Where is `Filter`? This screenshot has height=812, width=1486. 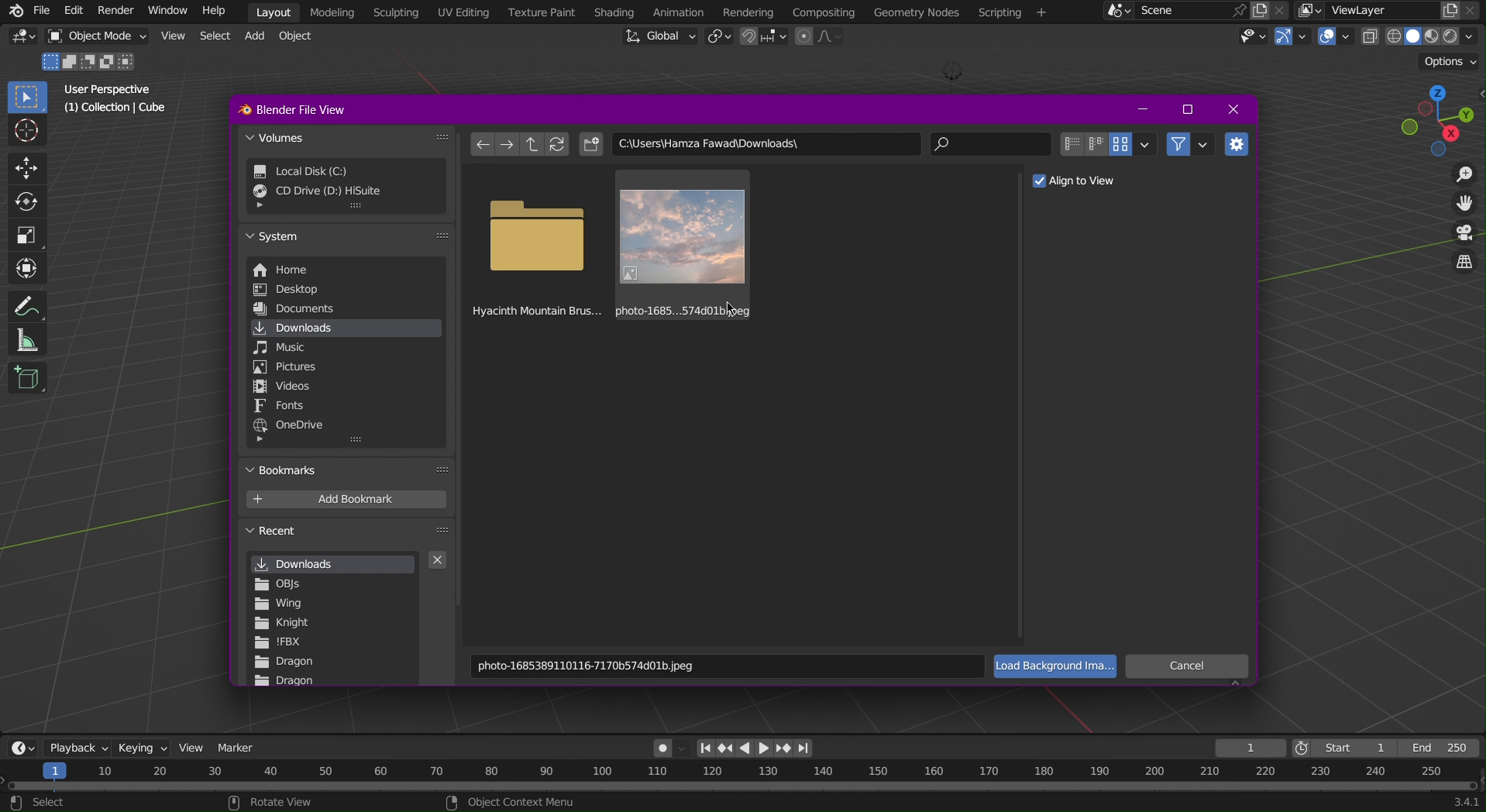
Filter is located at coordinates (1190, 143).